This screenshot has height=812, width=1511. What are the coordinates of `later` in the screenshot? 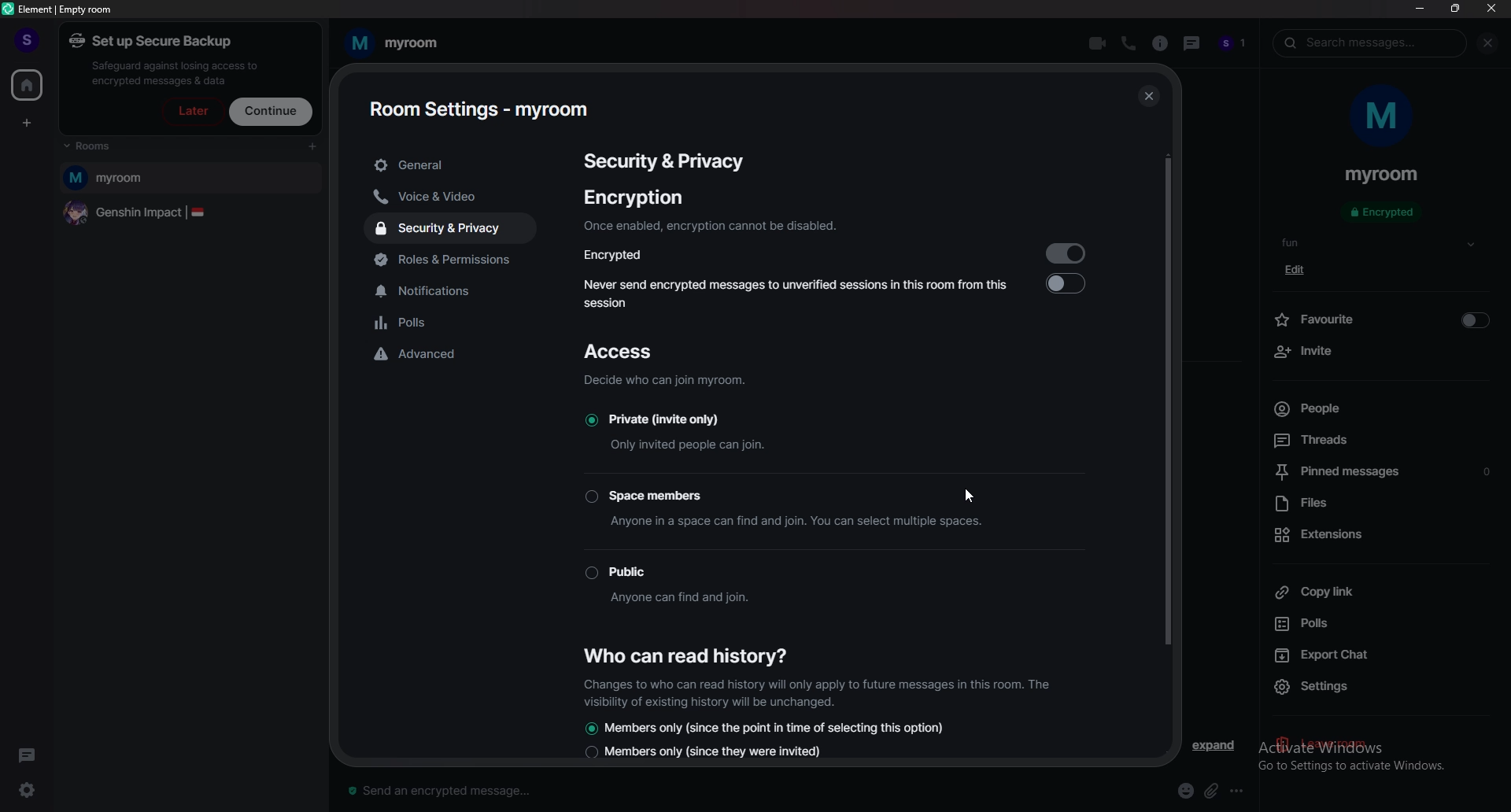 It's located at (194, 110).